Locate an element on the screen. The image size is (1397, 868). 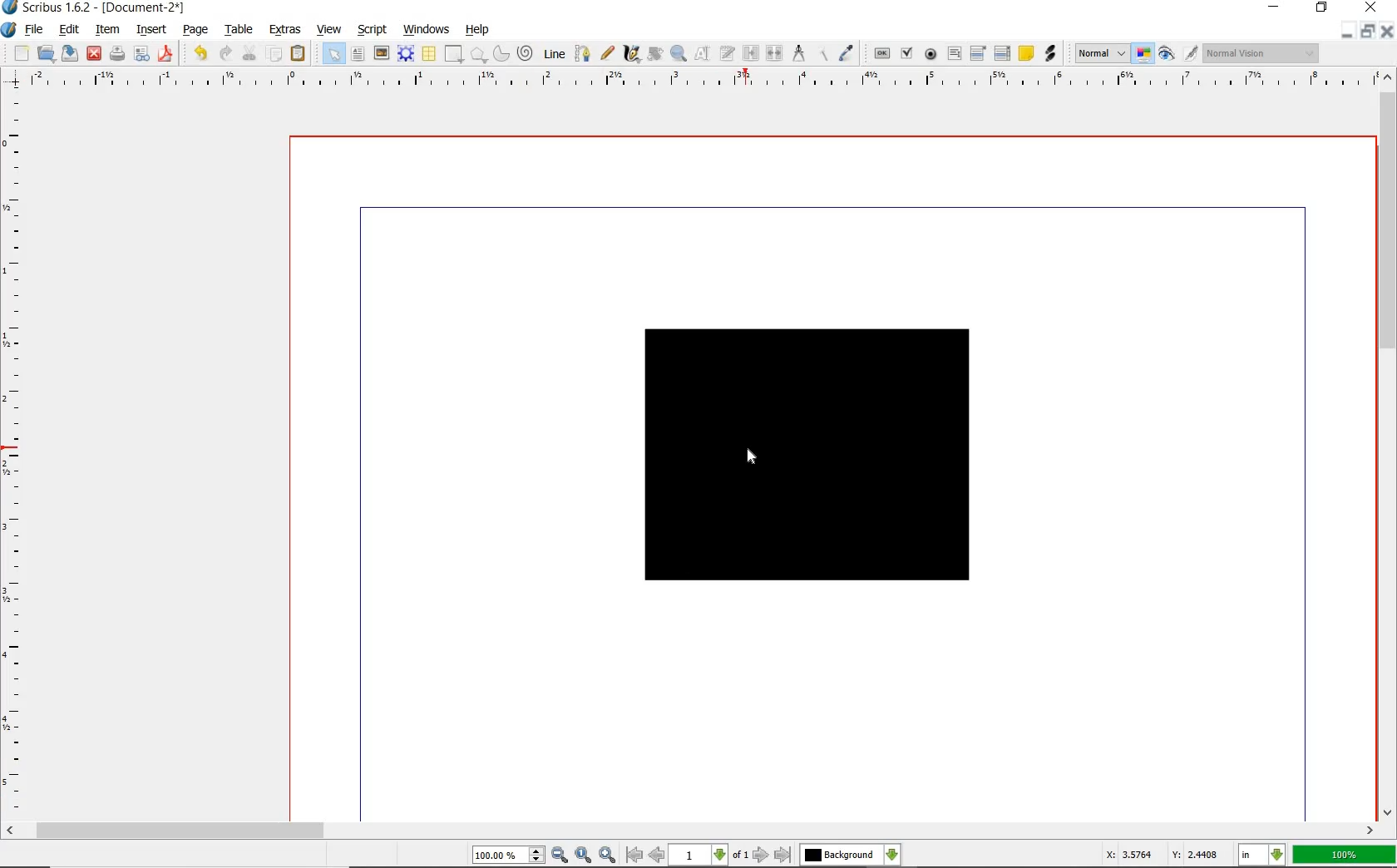
go to first page is located at coordinates (634, 856).